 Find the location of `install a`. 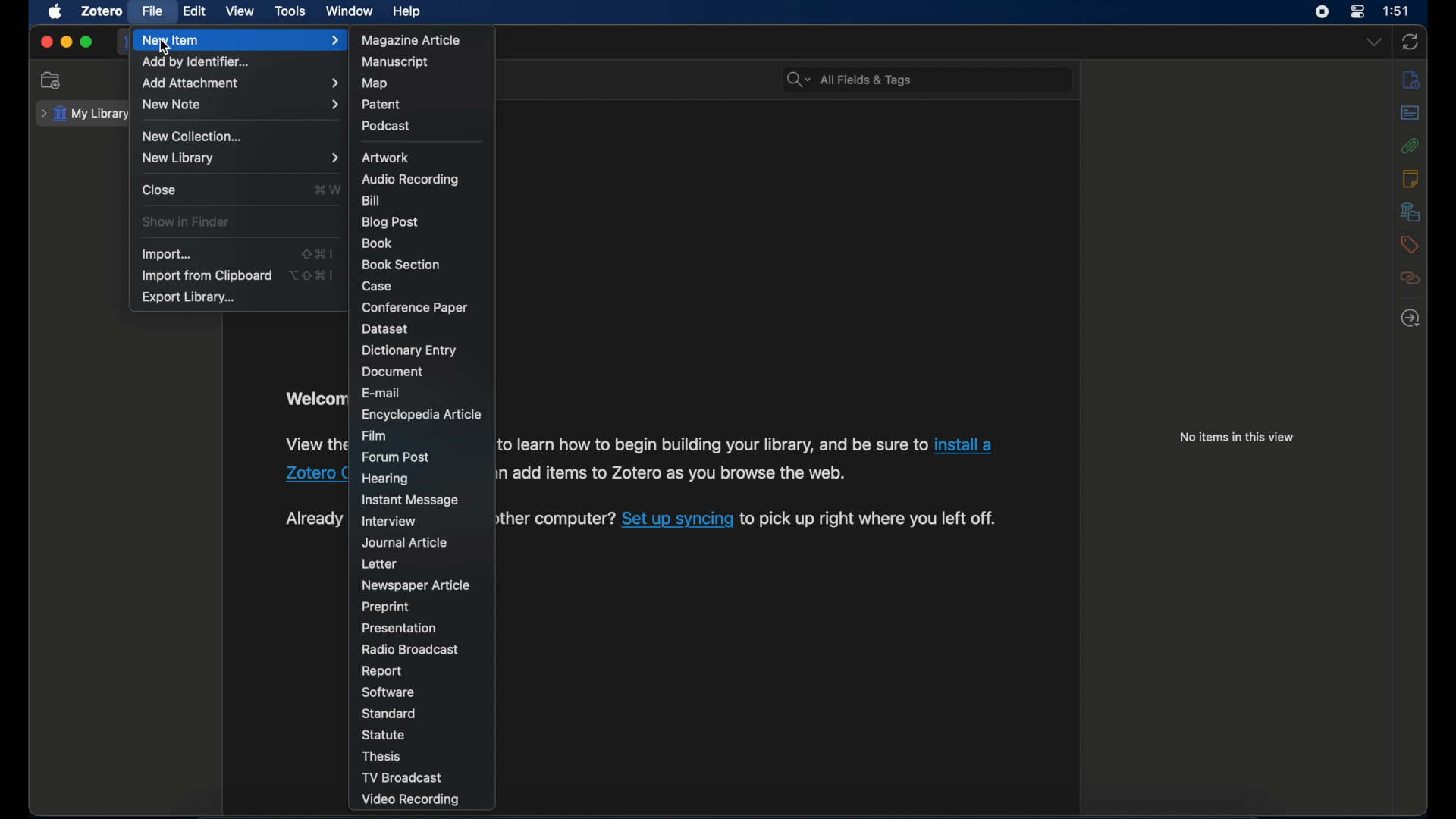

install a is located at coordinates (967, 445).